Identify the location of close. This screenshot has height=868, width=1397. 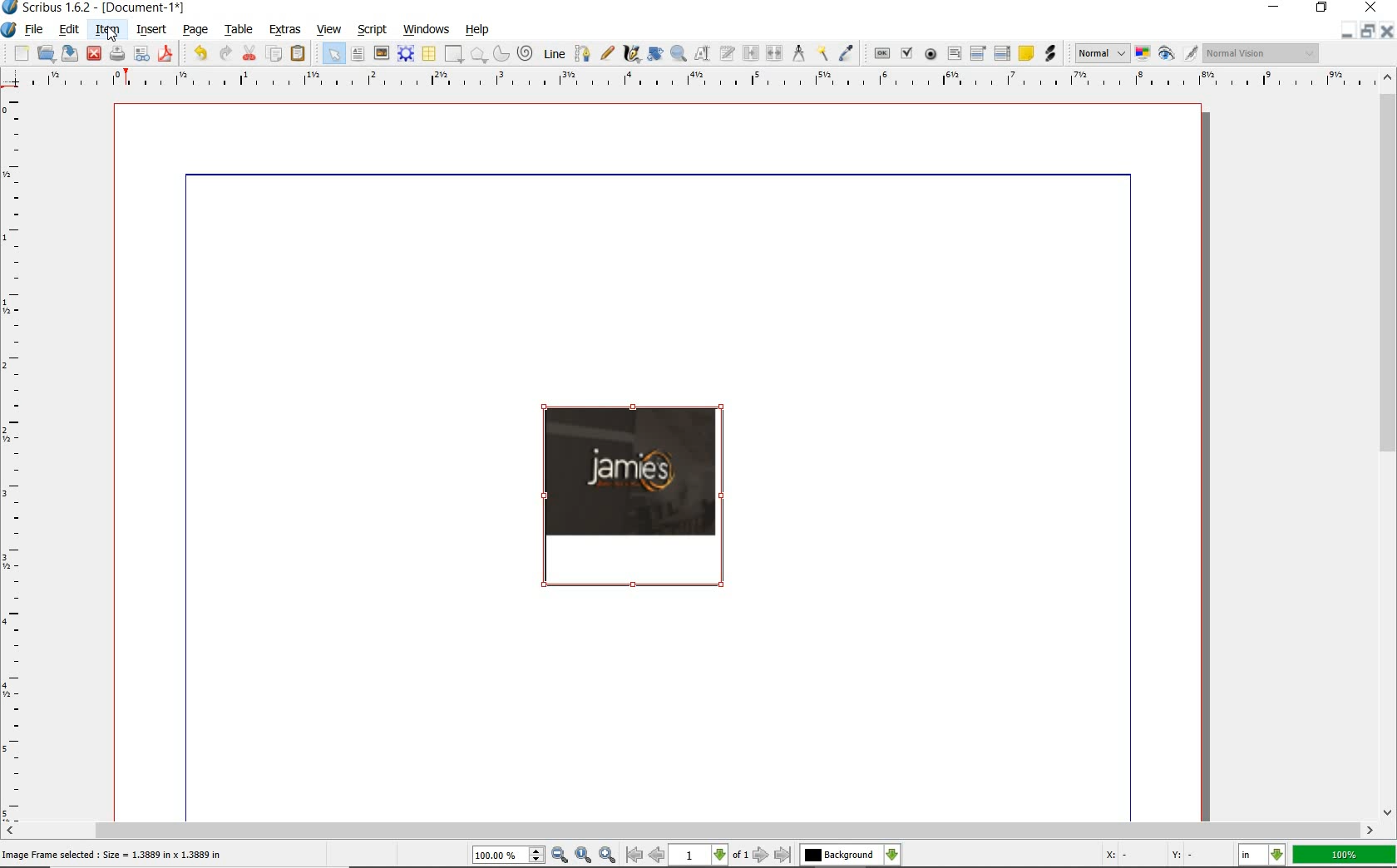
(1374, 7).